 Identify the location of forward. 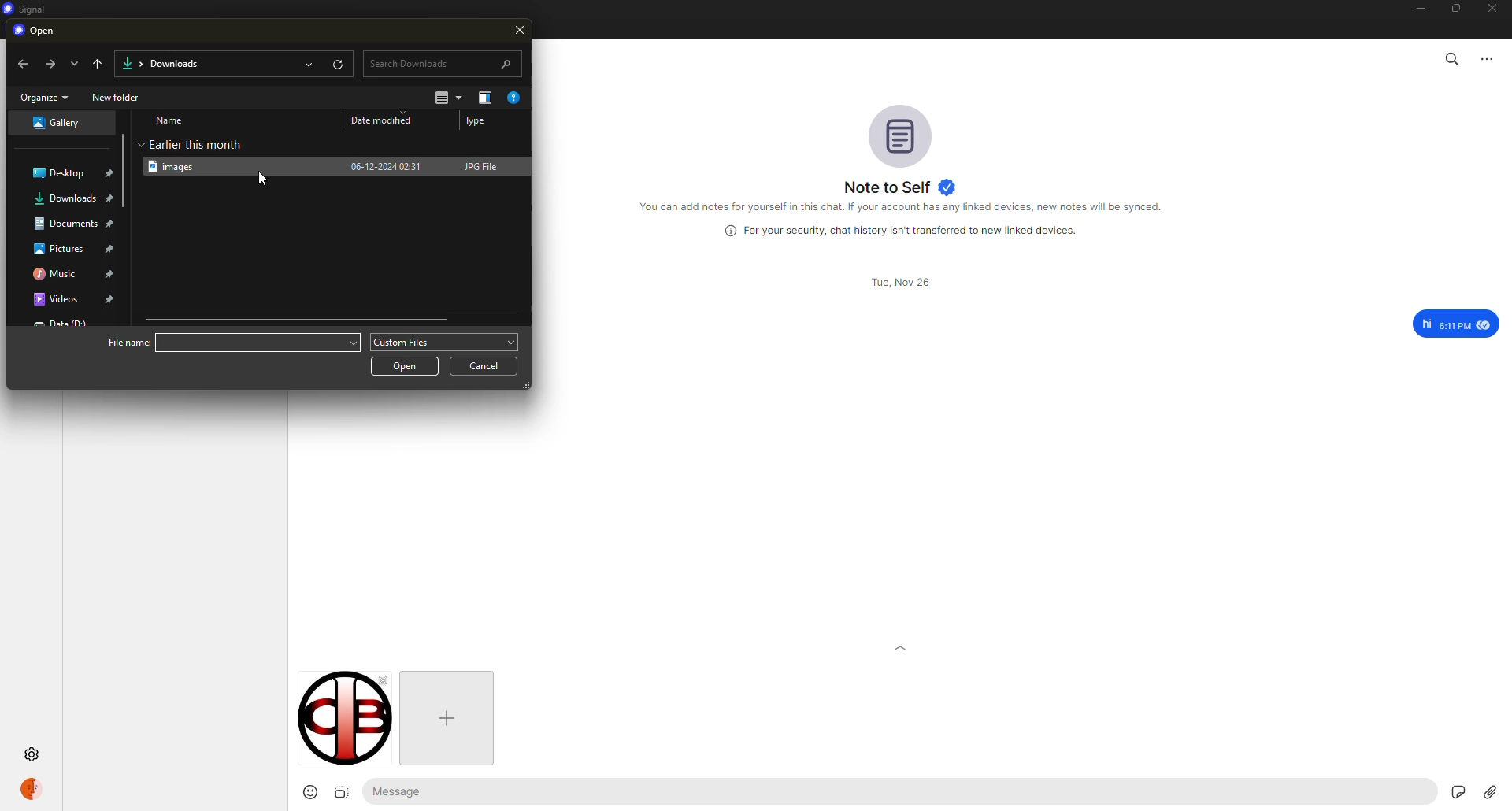
(48, 63).